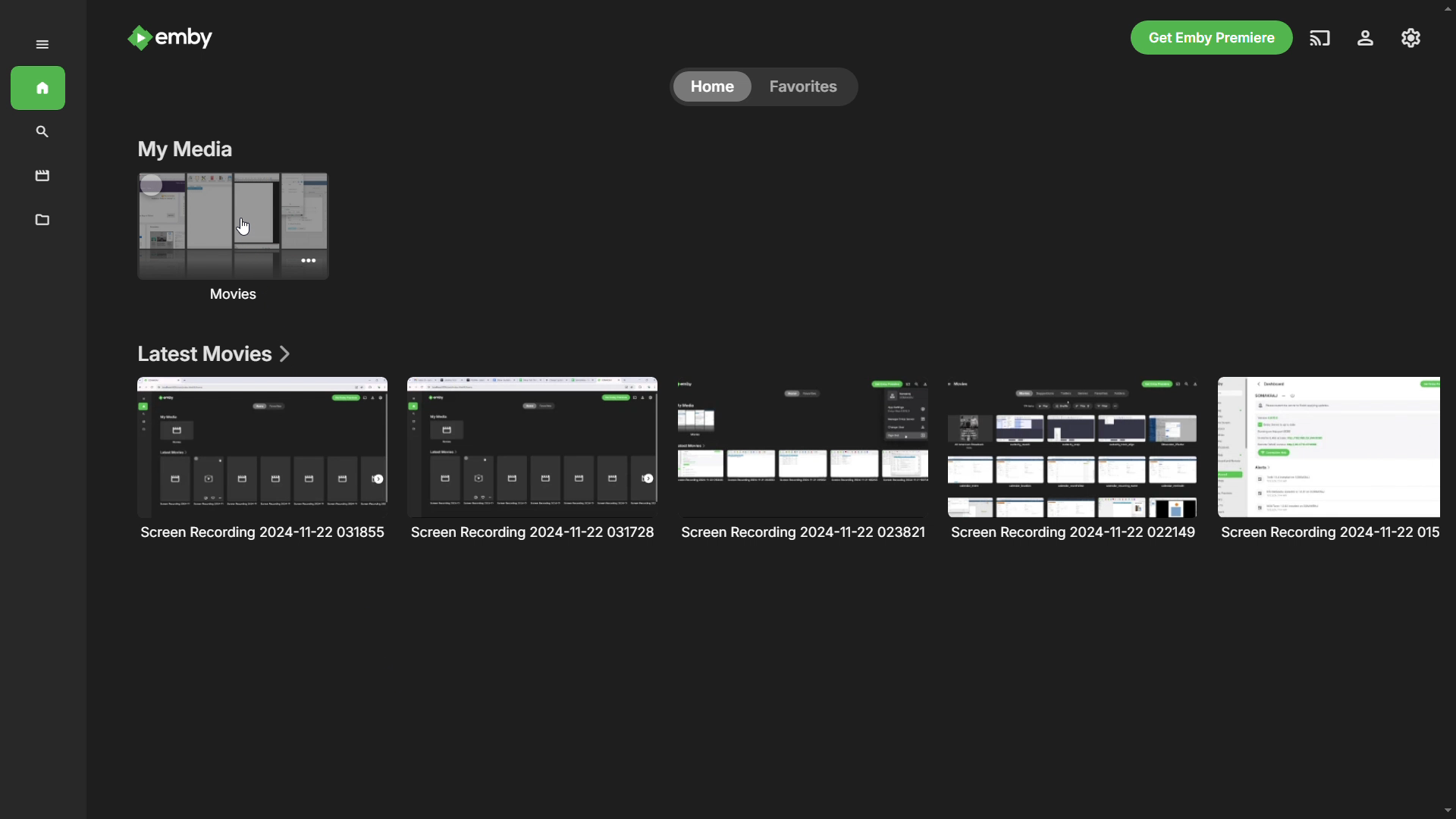  Describe the element at coordinates (805, 462) in the screenshot. I see `` at that location.